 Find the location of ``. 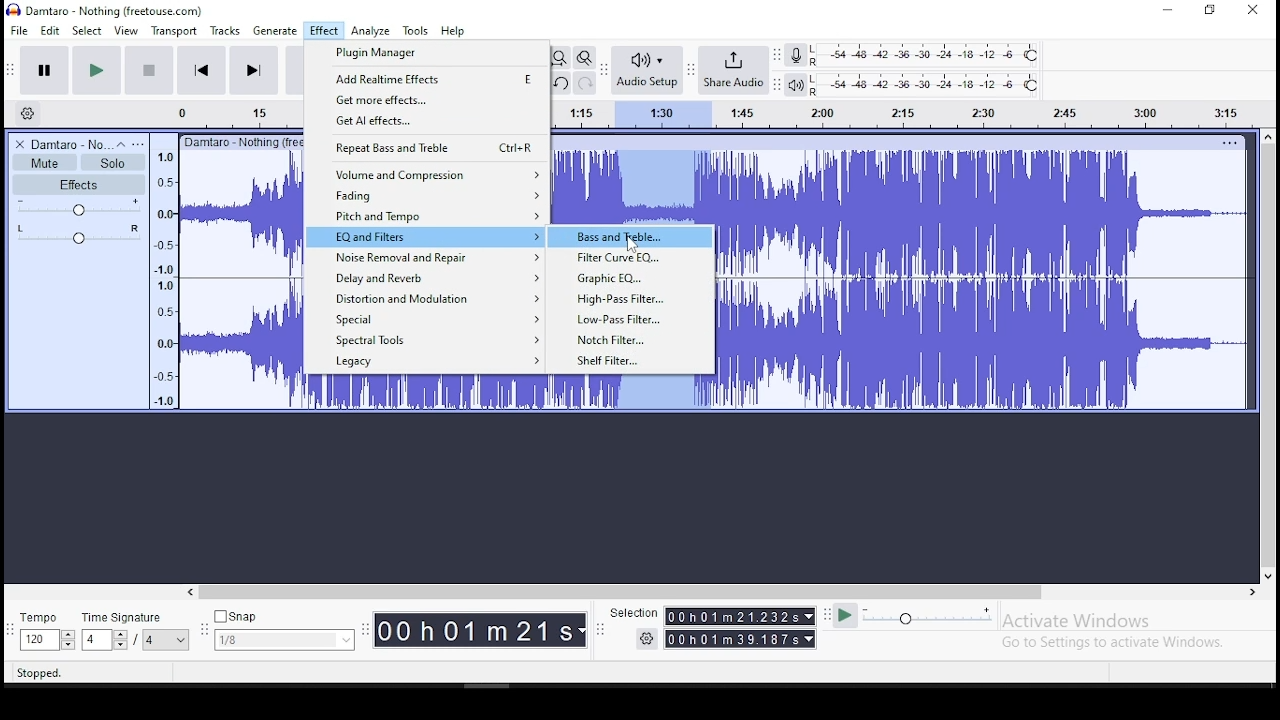

 is located at coordinates (775, 53).